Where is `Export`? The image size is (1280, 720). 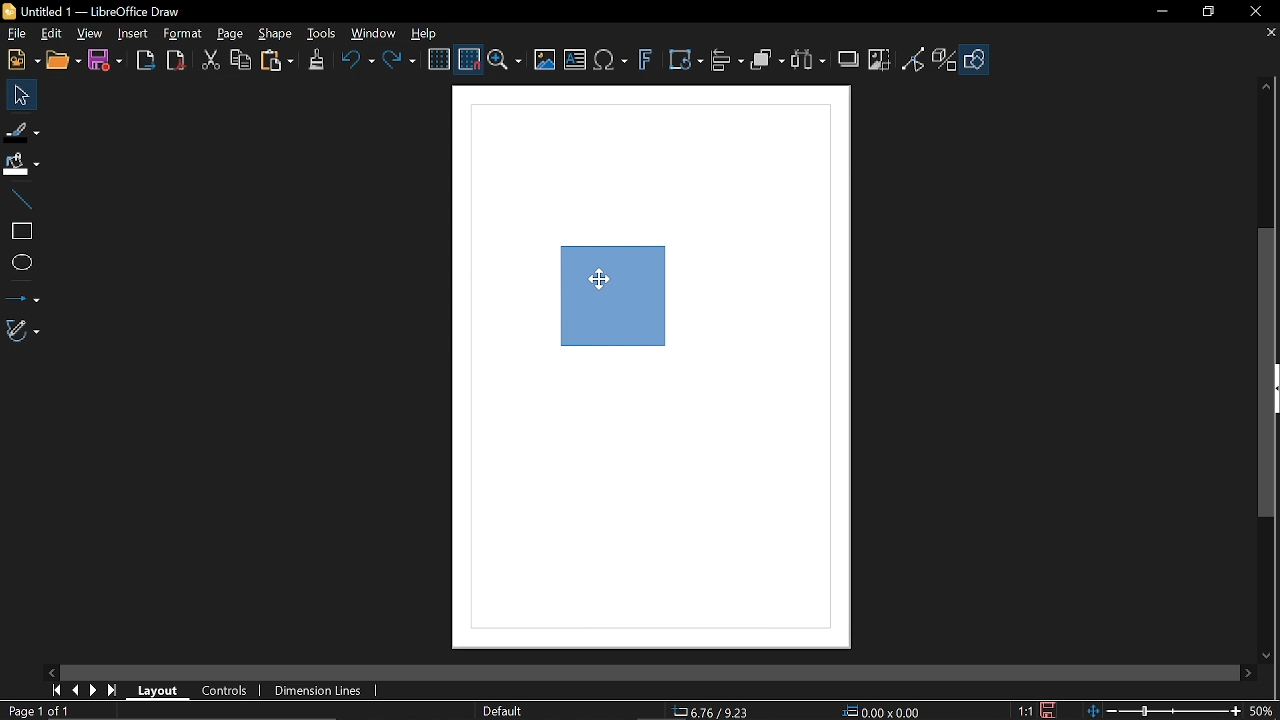
Export is located at coordinates (142, 60).